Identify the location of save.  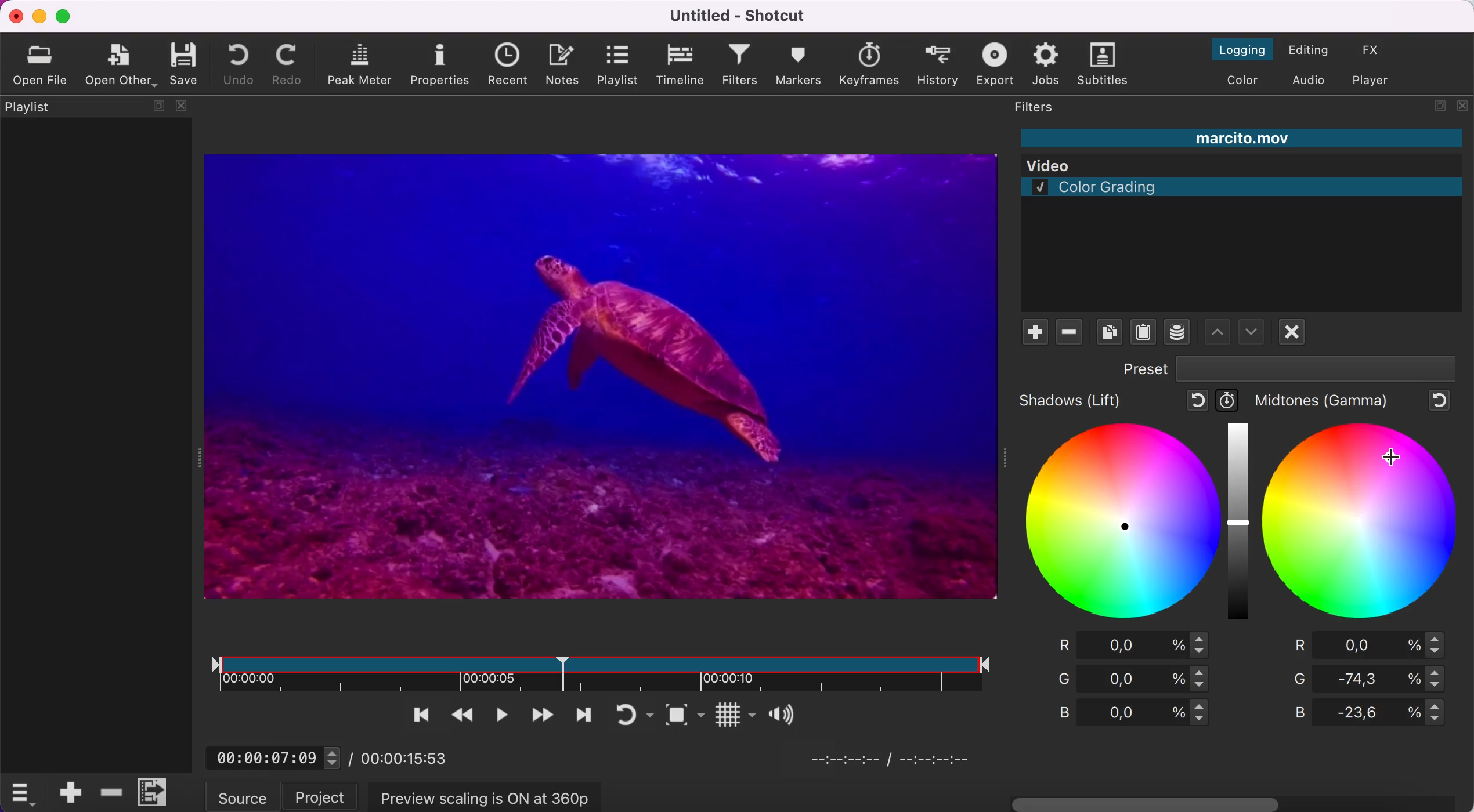
(188, 64).